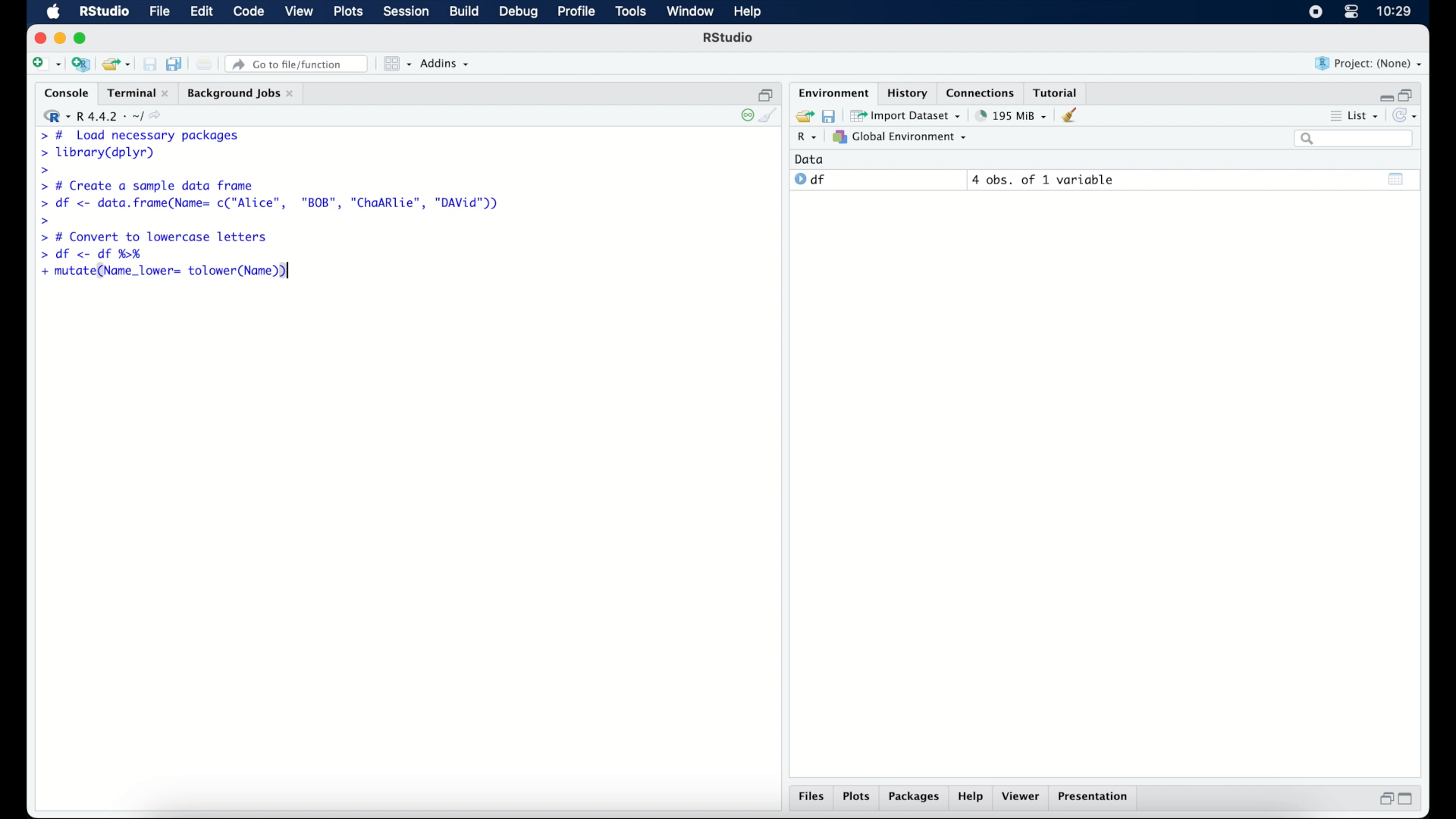 The height and width of the screenshot is (819, 1456). I want to click on background jobs, so click(240, 93).